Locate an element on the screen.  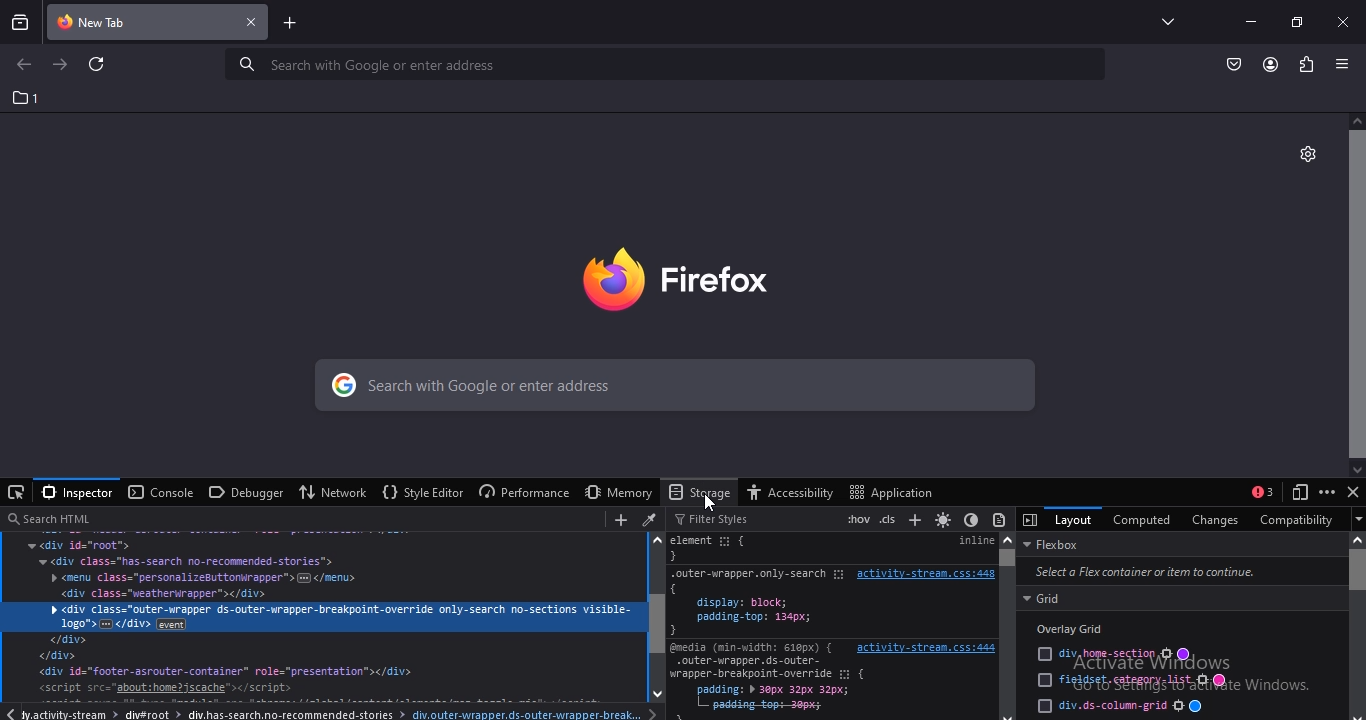
close is located at coordinates (1345, 21).